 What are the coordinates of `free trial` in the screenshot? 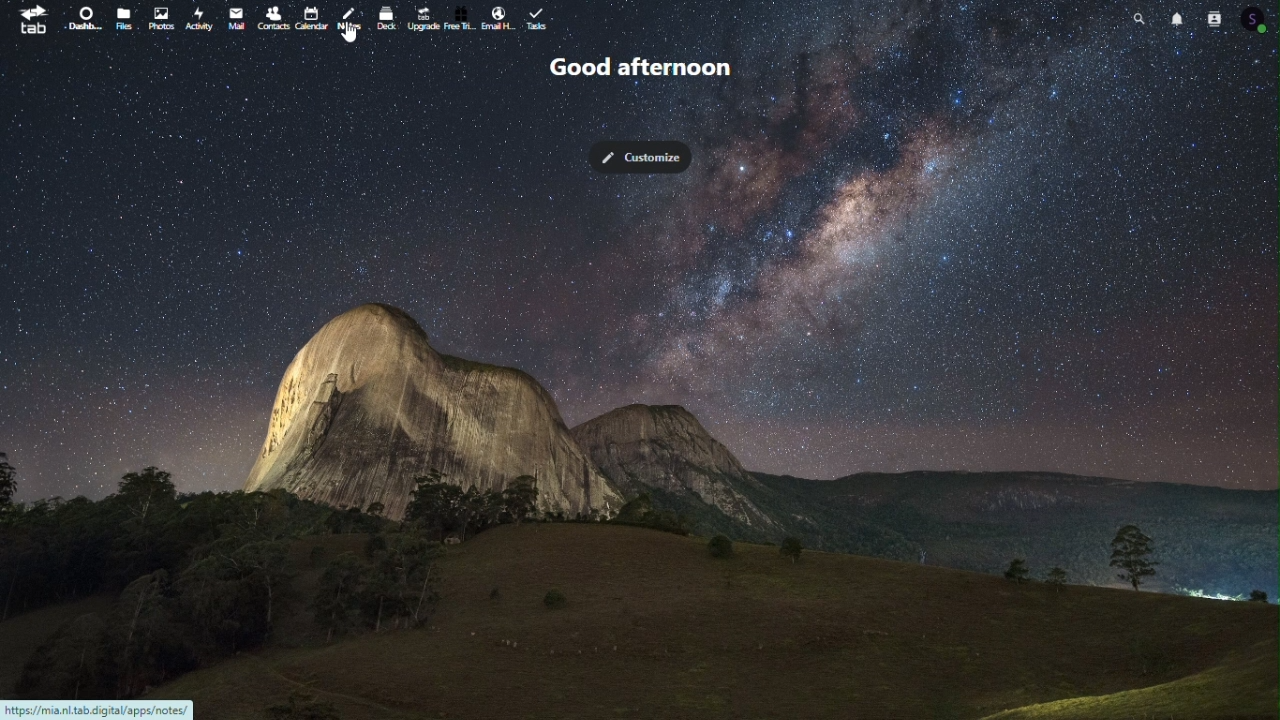 It's located at (461, 18).